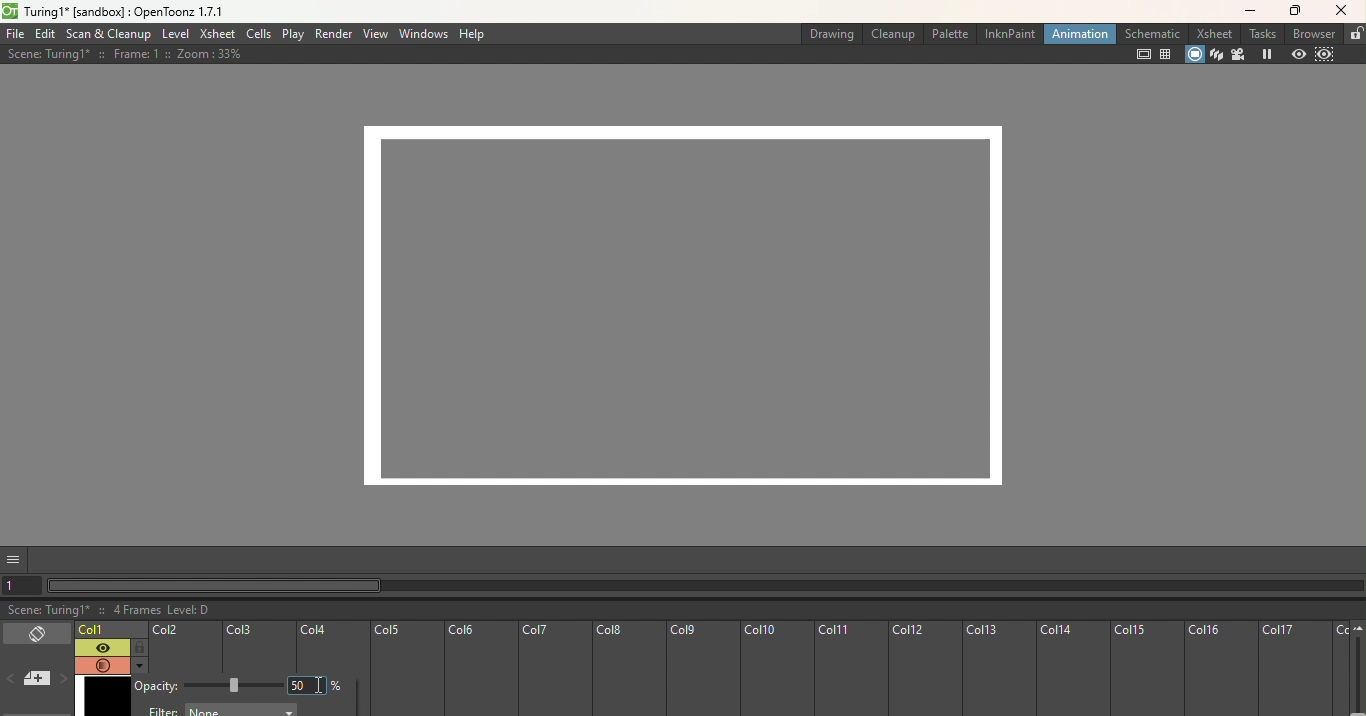 Image resolution: width=1366 pixels, height=716 pixels. Describe the element at coordinates (137, 647) in the screenshot. I see `Lock toggle` at that location.